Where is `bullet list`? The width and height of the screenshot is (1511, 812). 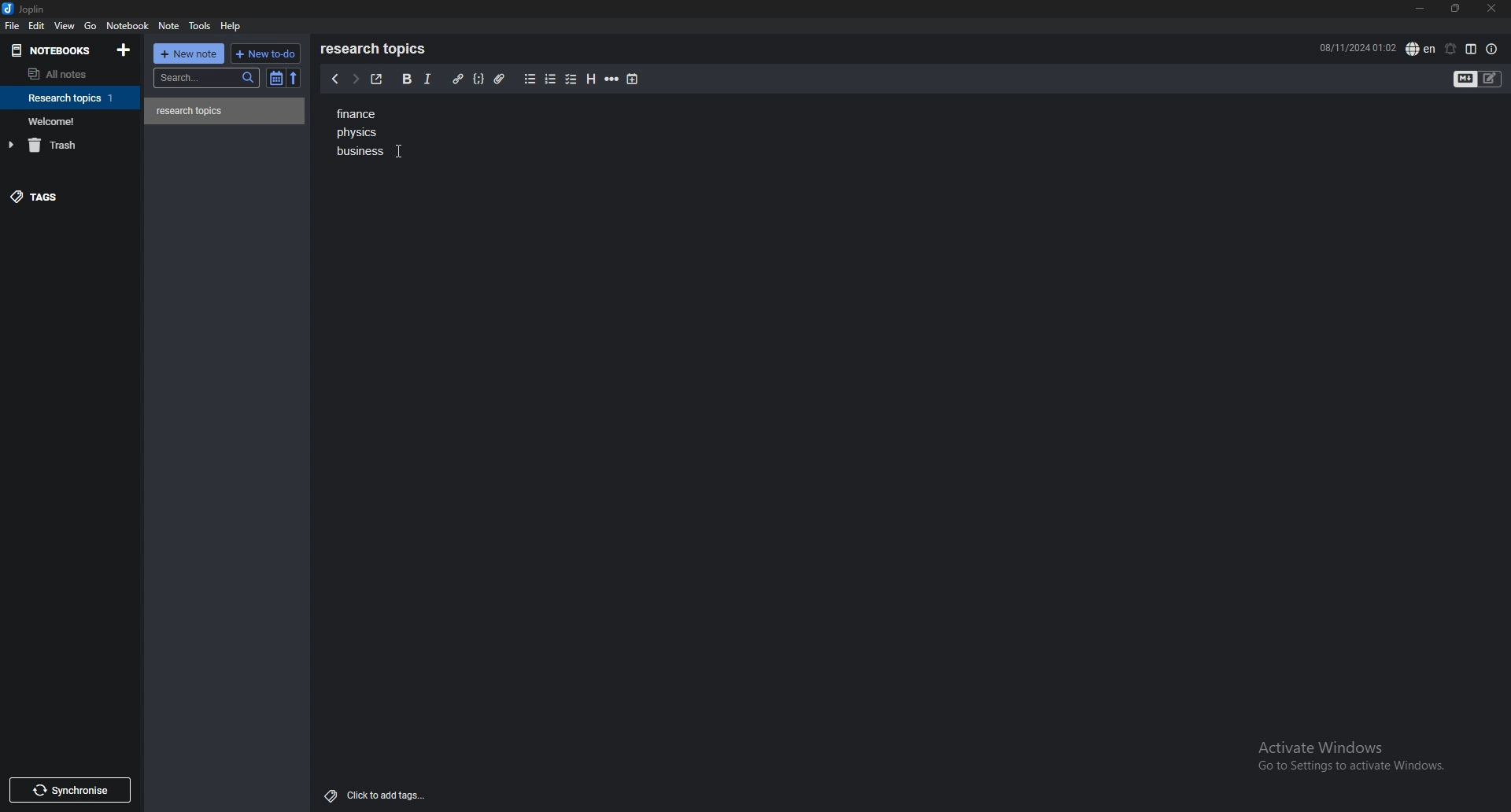 bullet list is located at coordinates (530, 79).